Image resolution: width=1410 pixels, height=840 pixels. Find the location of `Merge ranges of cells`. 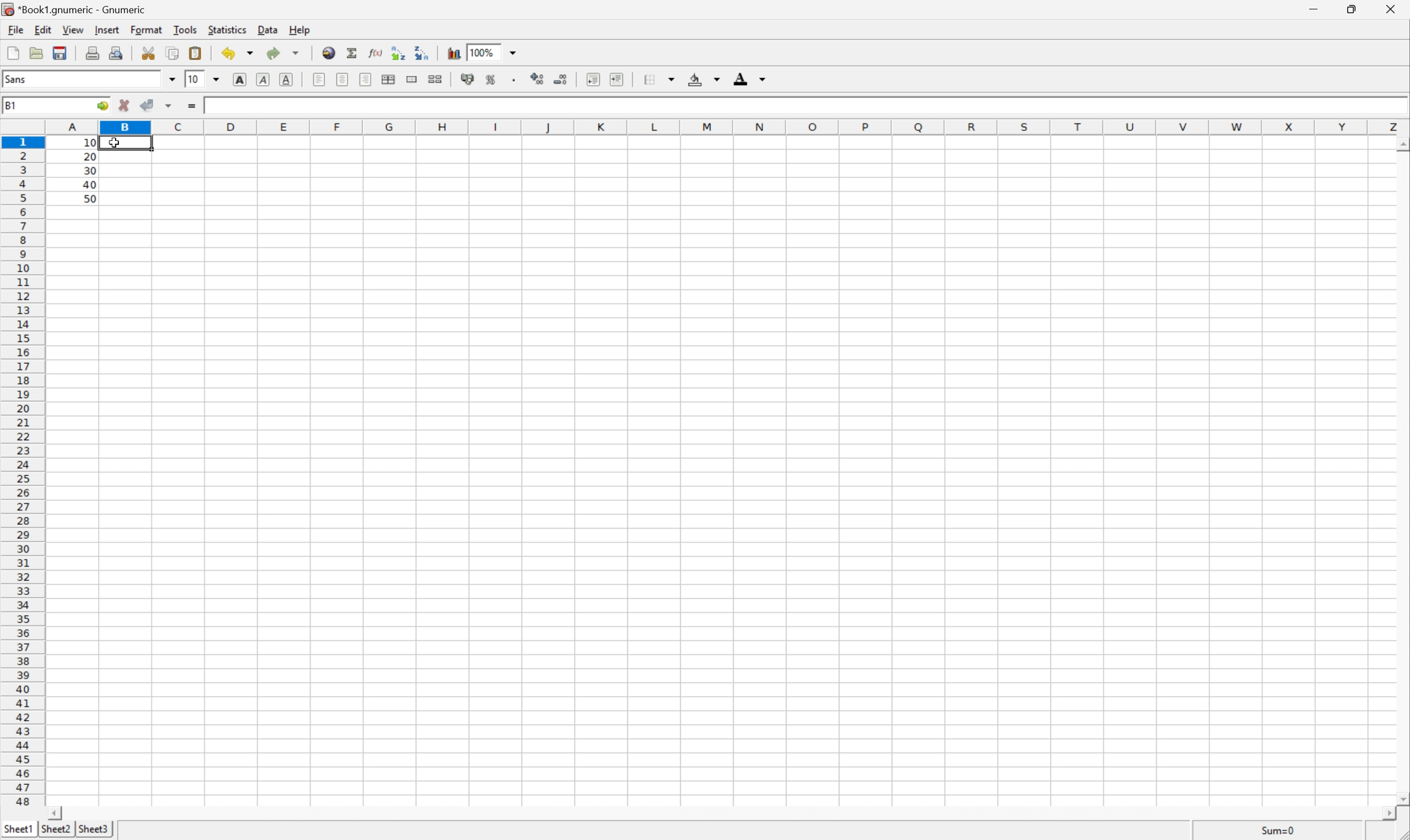

Merge ranges of cells is located at coordinates (411, 79).